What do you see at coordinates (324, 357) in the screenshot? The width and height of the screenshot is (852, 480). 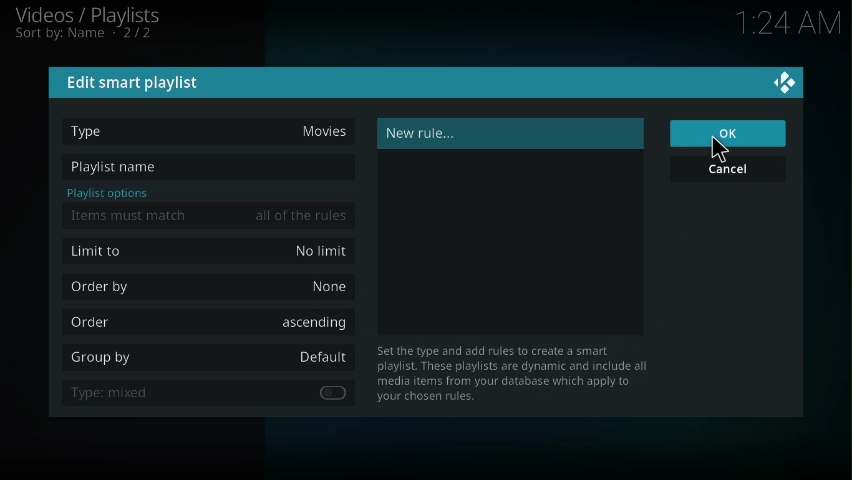 I see `default` at bounding box center [324, 357].